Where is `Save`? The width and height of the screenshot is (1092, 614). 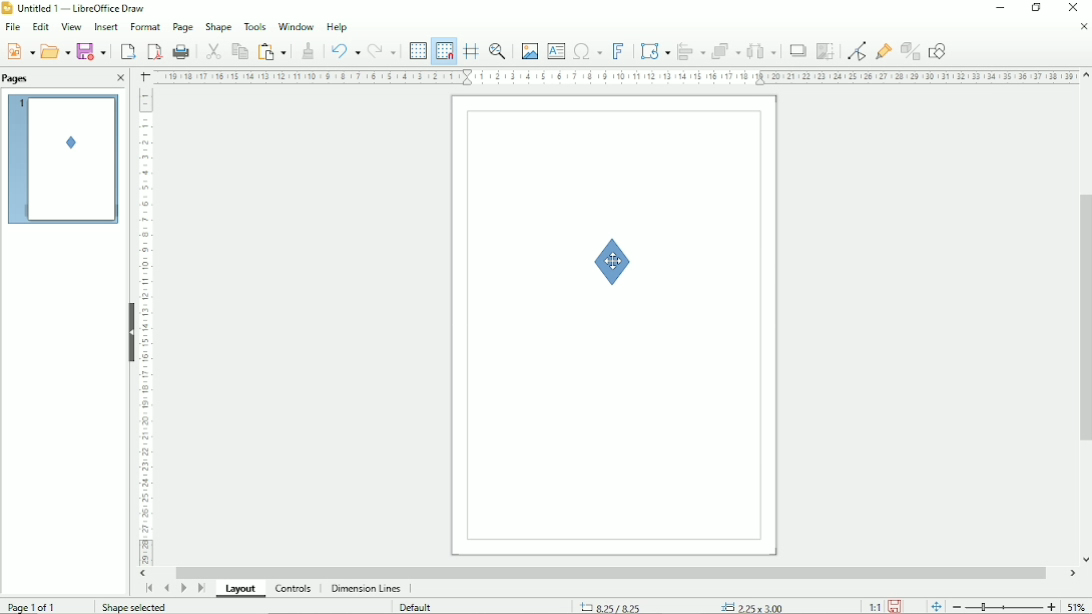
Save is located at coordinates (91, 51).